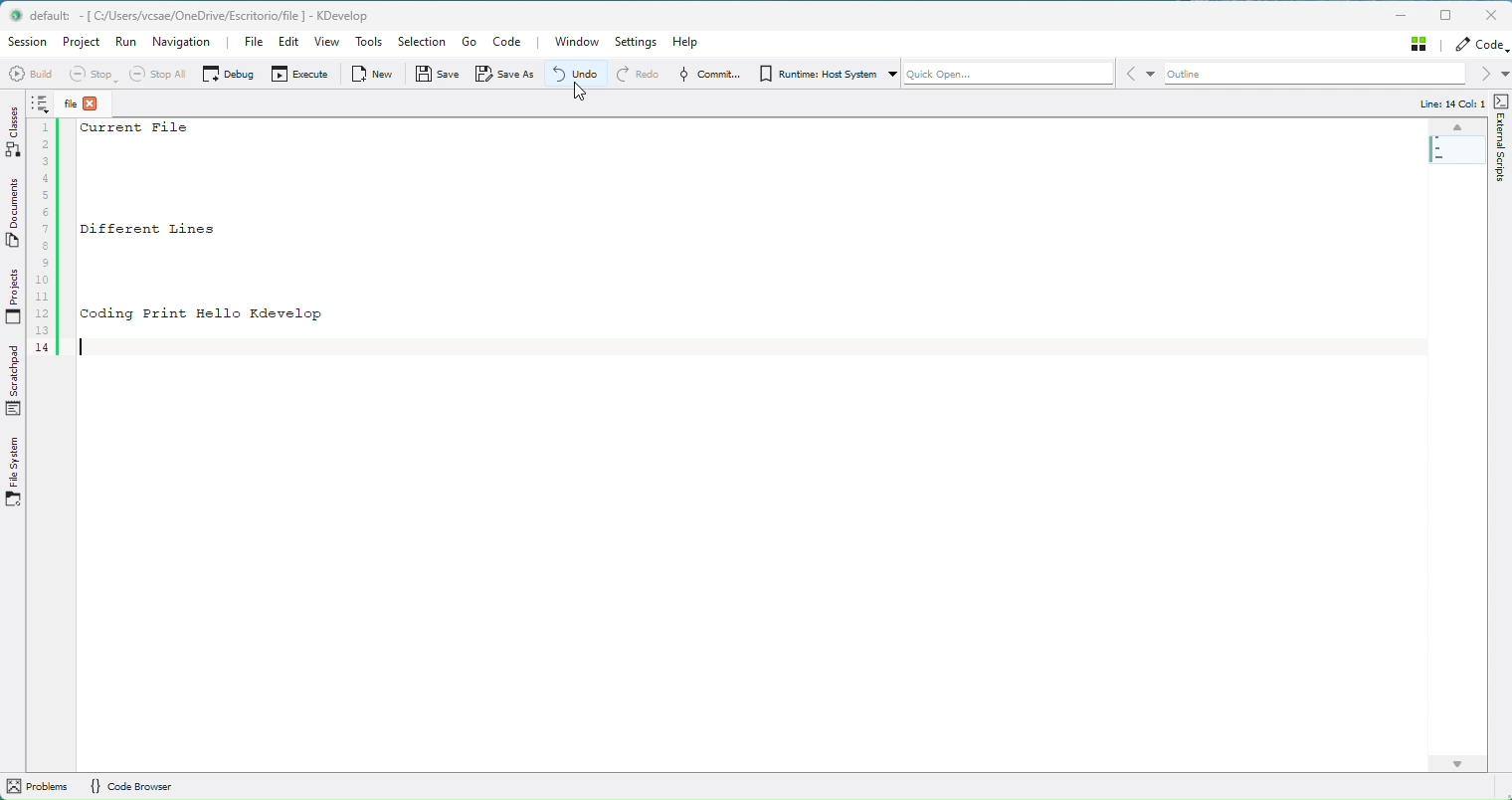  I want to click on code block , so click(299, 239).